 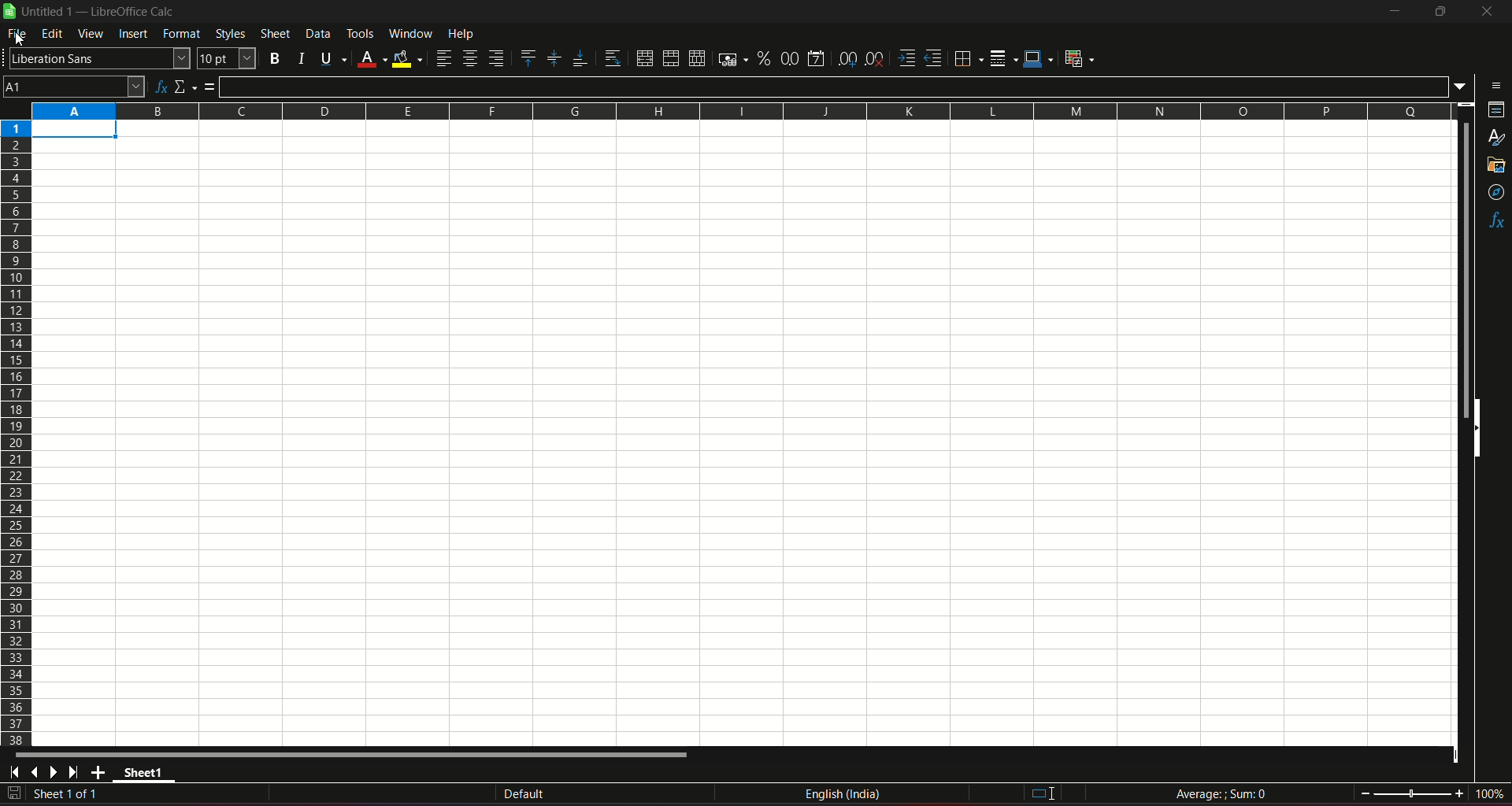 I want to click on Sheet, so click(x=274, y=34).